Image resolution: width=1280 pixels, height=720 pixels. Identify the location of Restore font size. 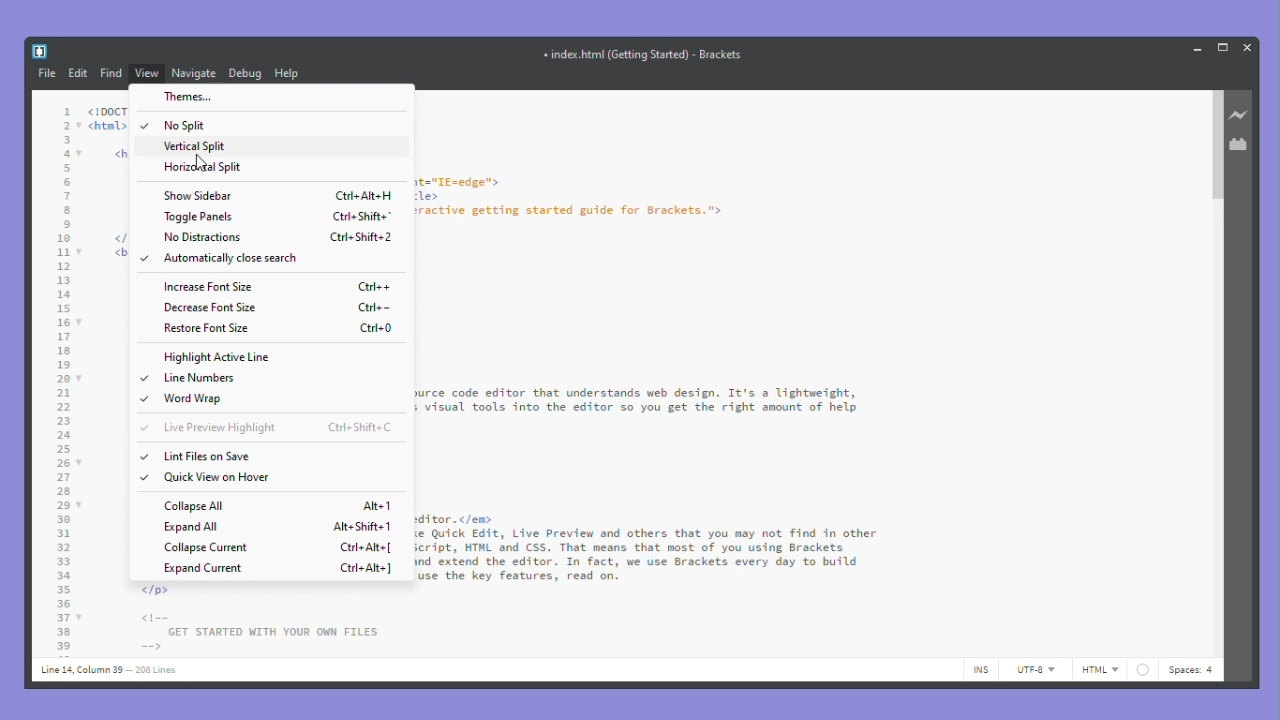
(279, 329).